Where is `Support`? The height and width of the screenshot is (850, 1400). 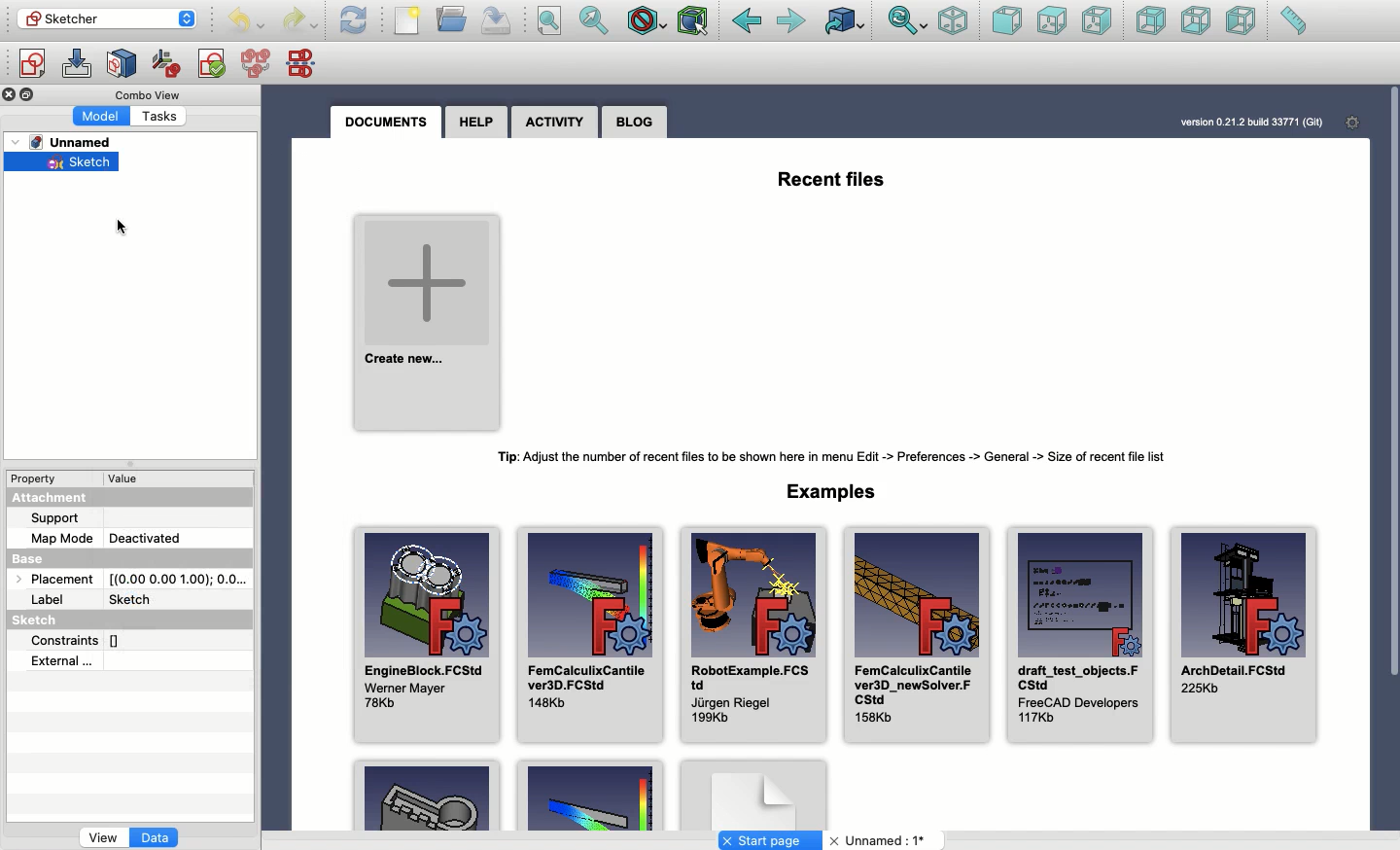
Support is located at coordinates (64, 518).